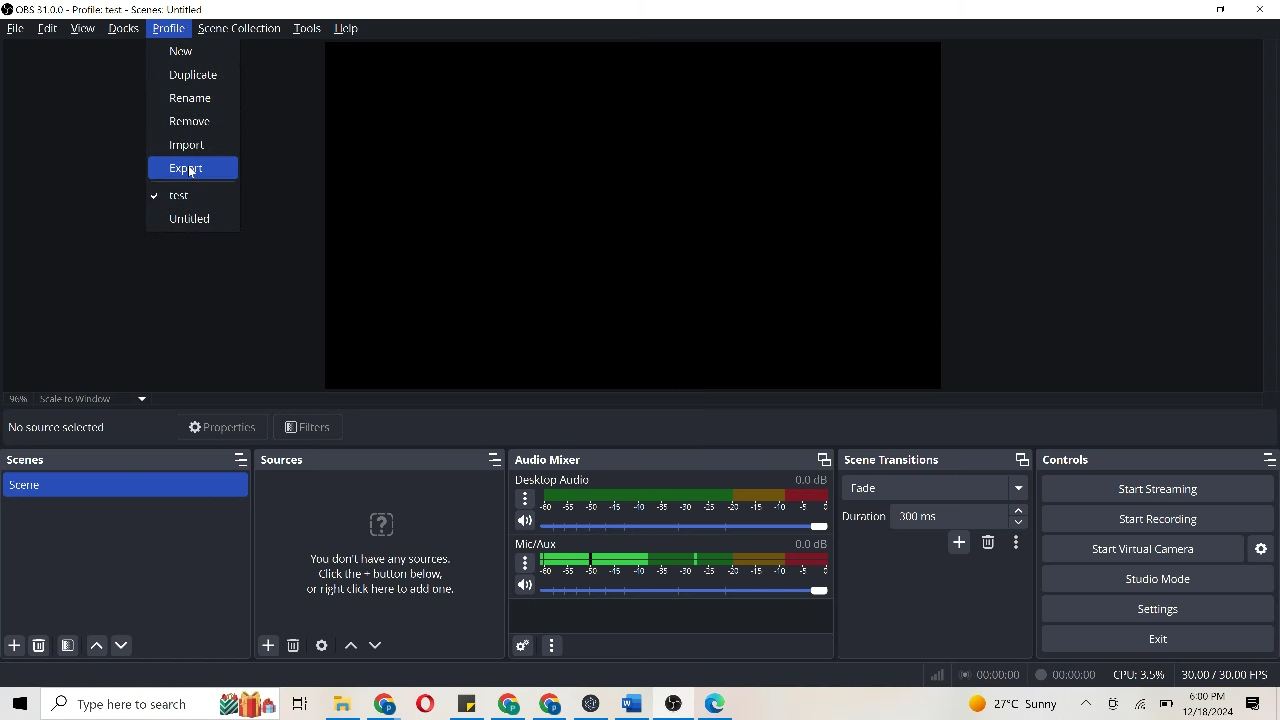 This screenshot has width=1280, height=720. What do you see at coordinates (1156, 552) in the screenshot?
I see `start virtual camera` at bounding box center [1156, 552].